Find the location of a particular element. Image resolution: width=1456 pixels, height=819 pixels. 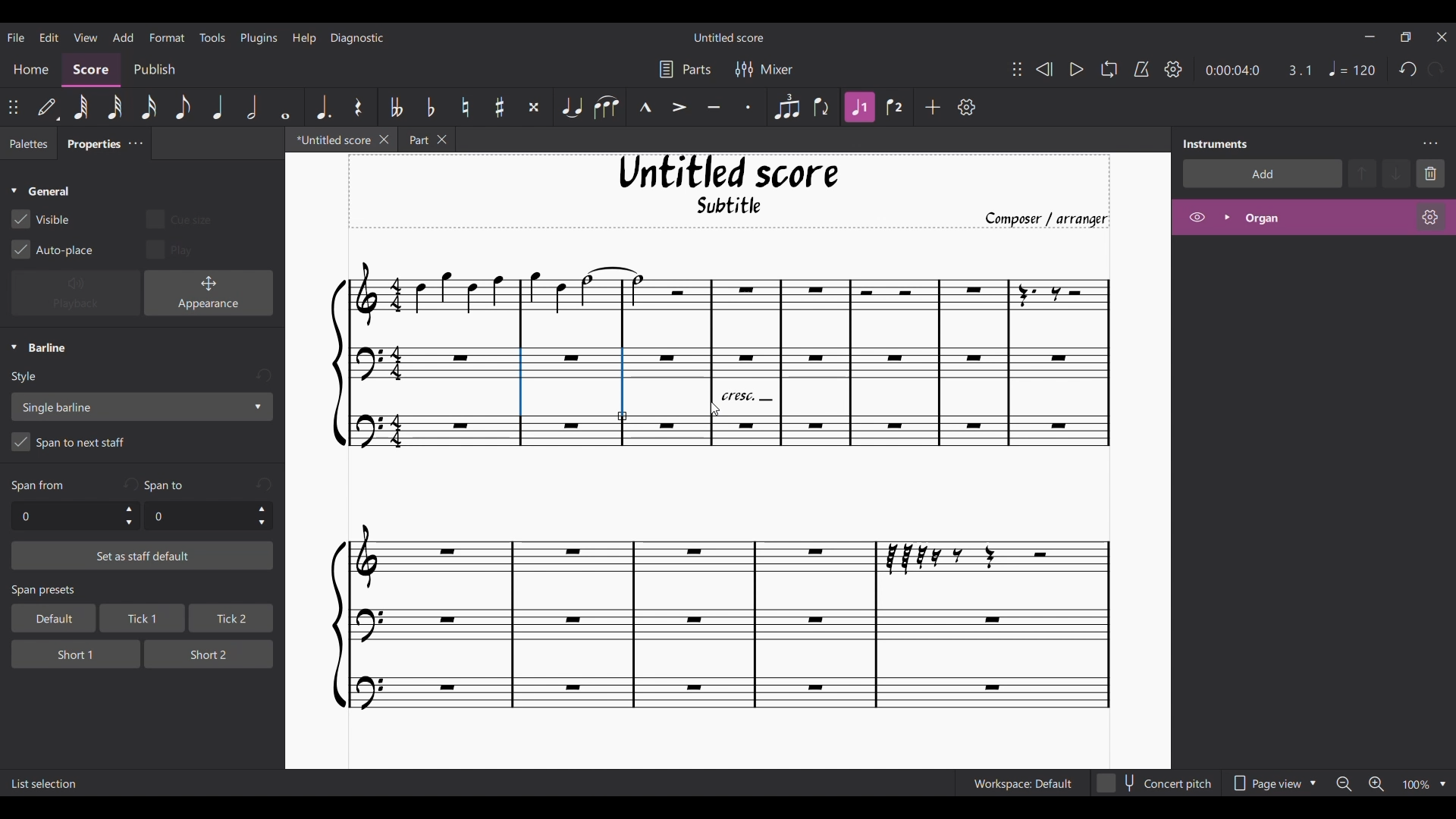

Toggle for Concert pitch is located at coordinates (1155, 783).